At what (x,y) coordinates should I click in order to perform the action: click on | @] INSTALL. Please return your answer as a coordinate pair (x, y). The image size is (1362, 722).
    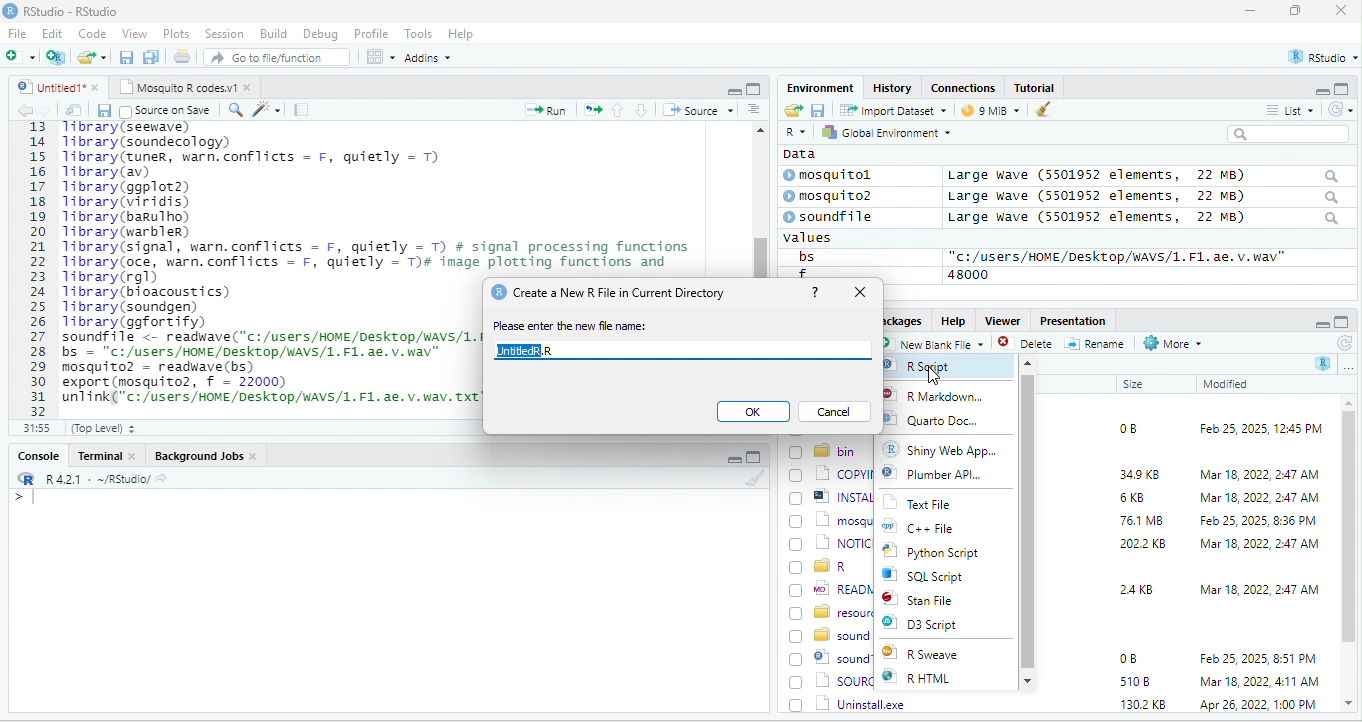
    Looking at the image, I should click on (834, 496).